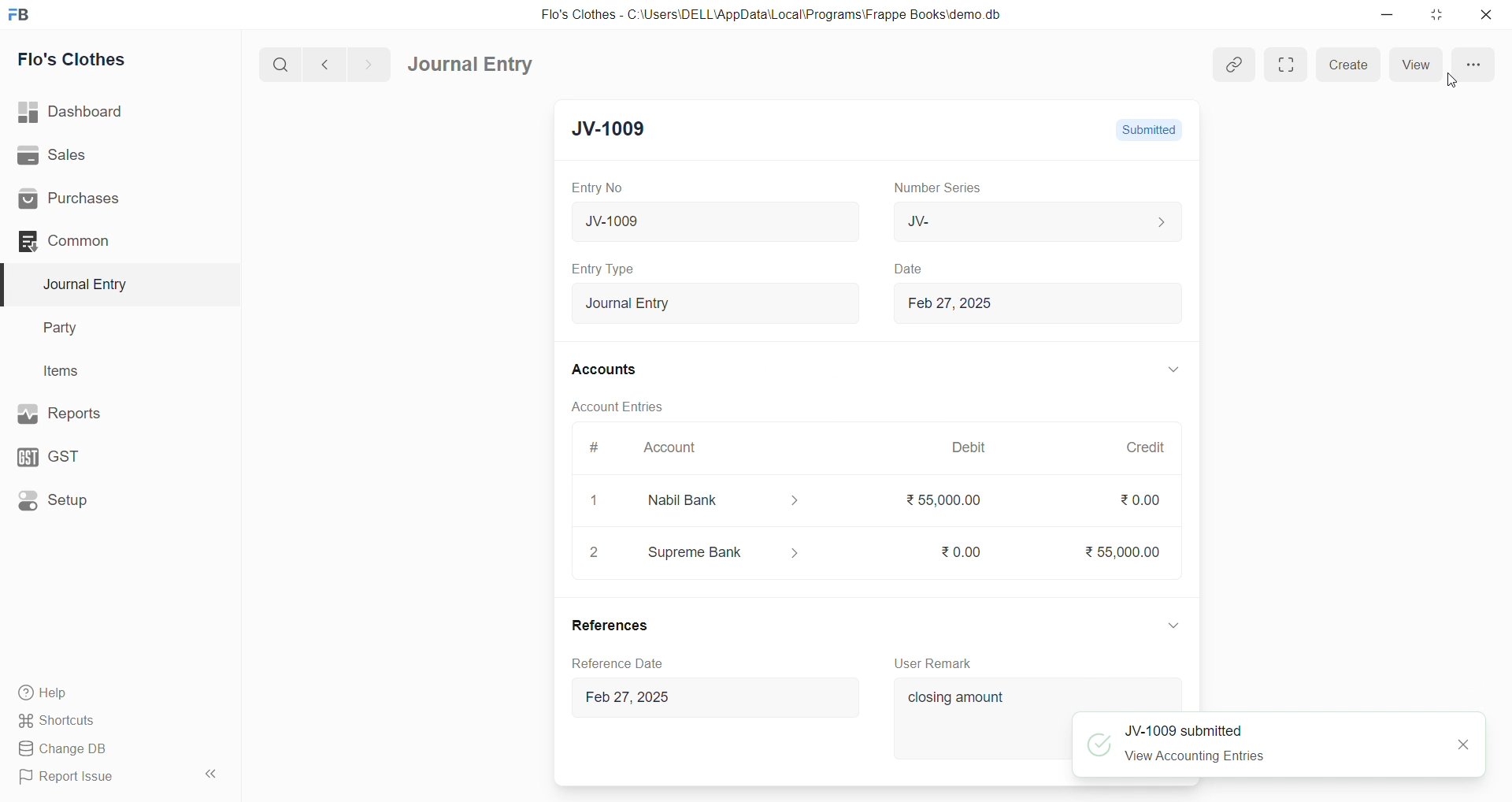 The height and width of the screenshot is (802, 1512). What do you see at coordinates (714, 696) in the screenshot?
I see `Feb 27, 2025` at bounding box center [714, 696].